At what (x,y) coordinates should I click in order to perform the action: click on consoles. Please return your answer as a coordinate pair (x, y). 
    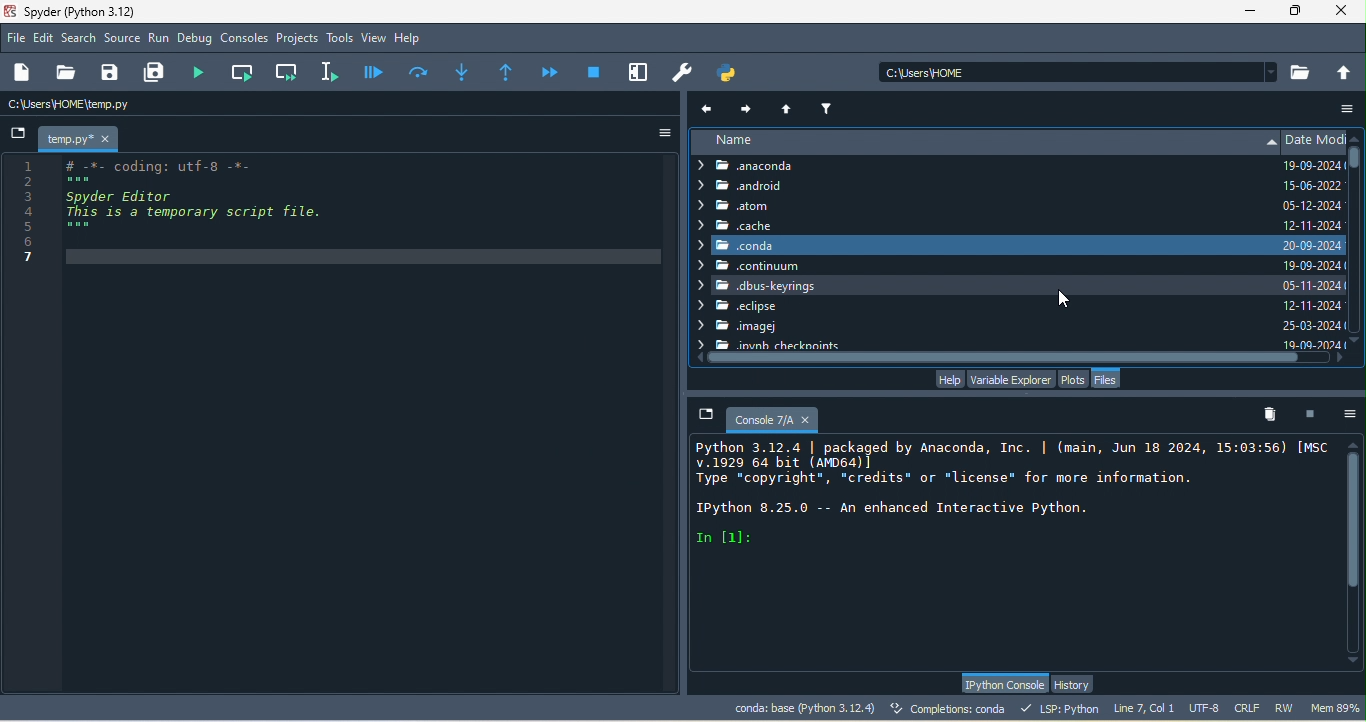
    Looking at the image, I should click on (245, 39).